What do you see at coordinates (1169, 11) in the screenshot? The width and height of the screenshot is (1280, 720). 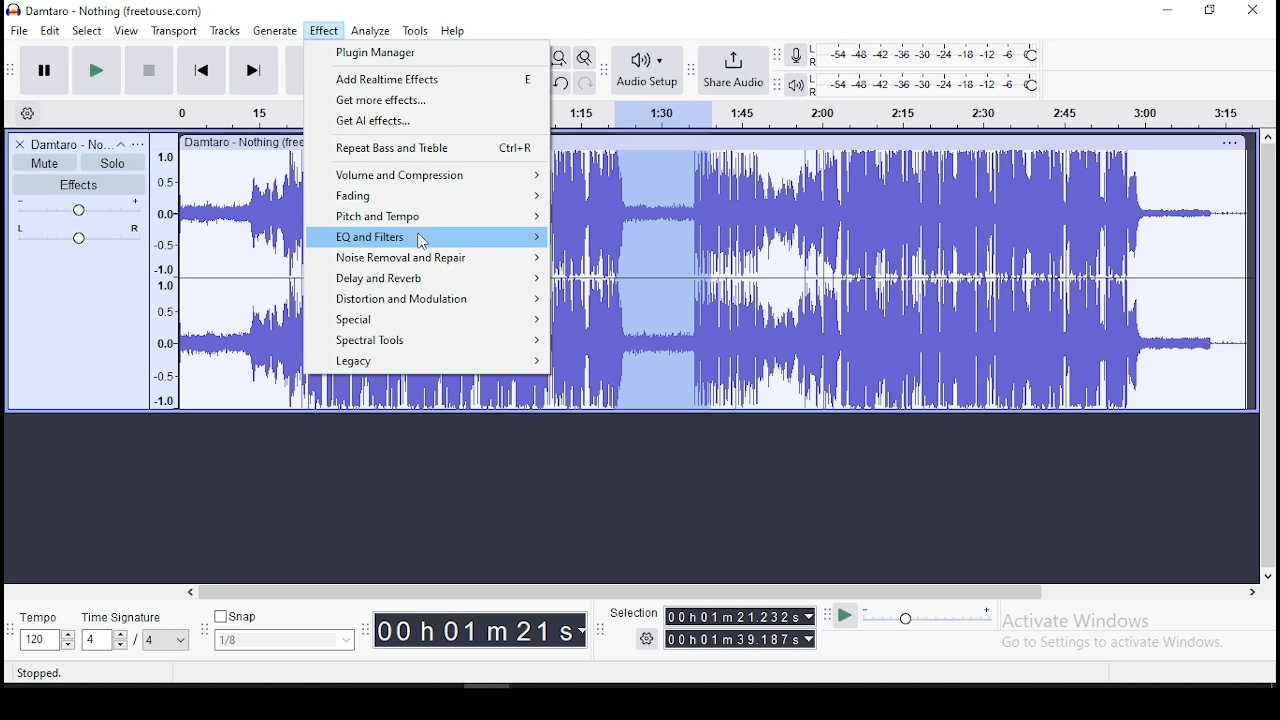 I see `minimize` at bounding box center [1169, 11].